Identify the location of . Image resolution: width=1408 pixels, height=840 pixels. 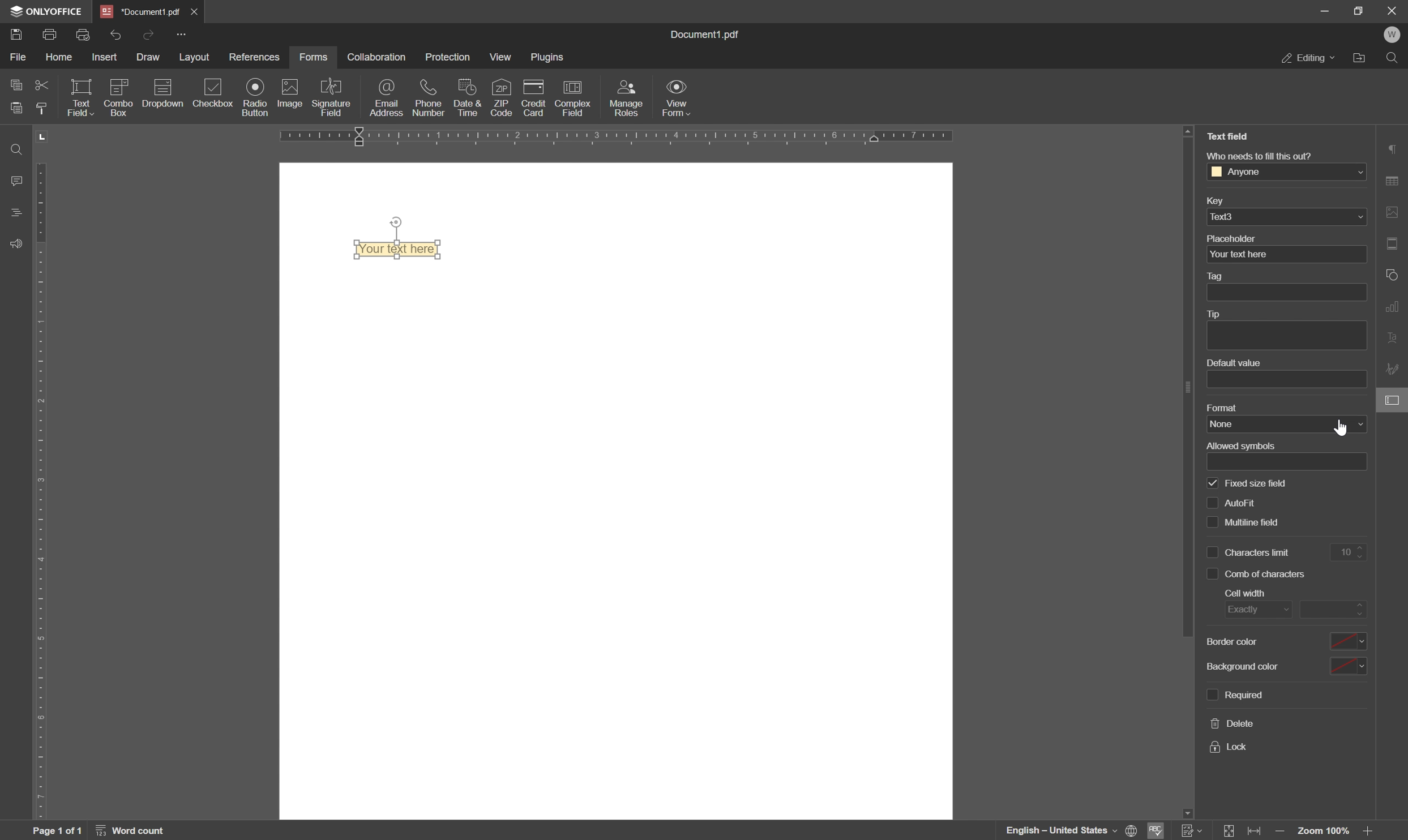
(710, 35).